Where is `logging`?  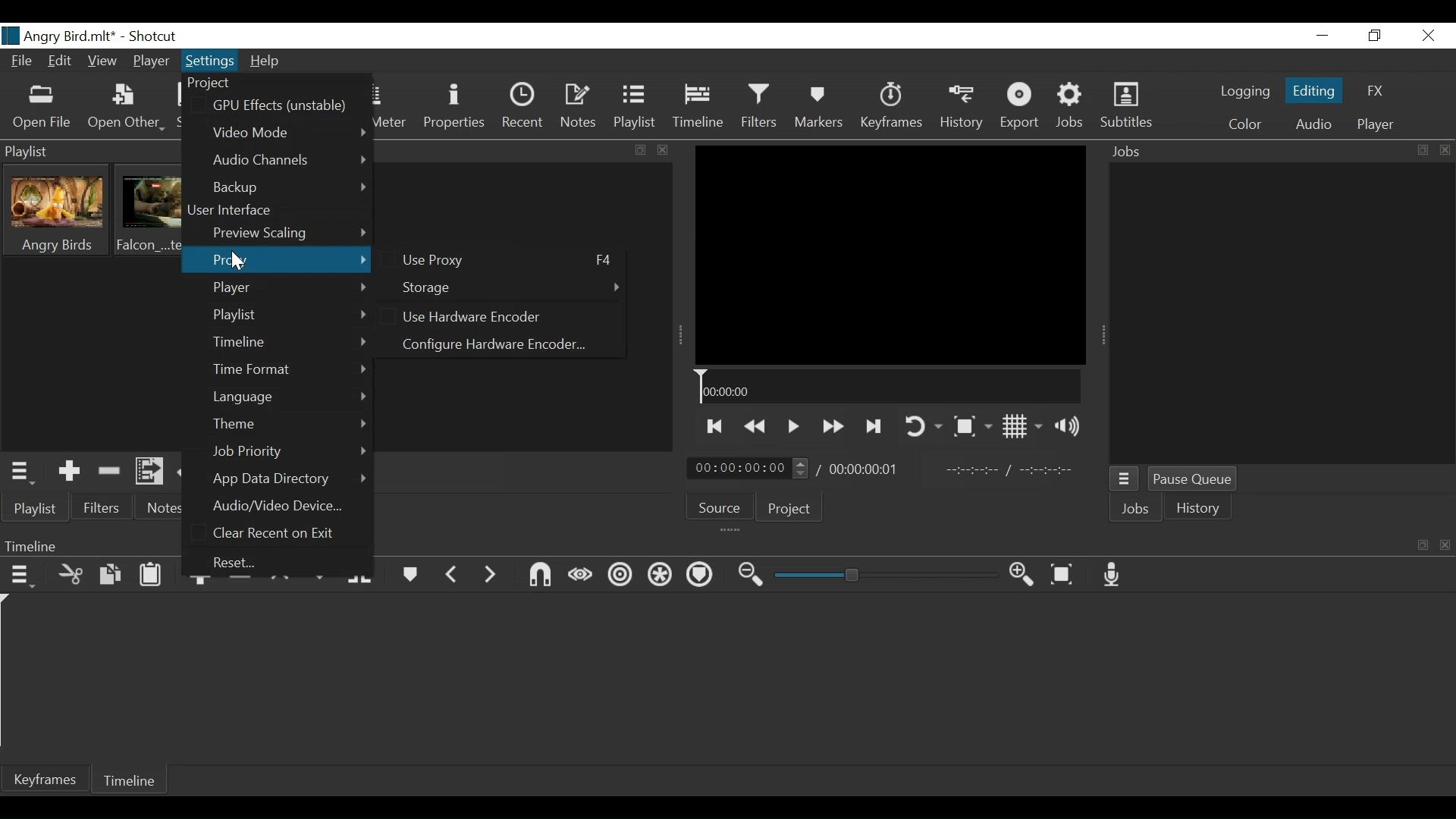
logging is located at coordinates (1244, 92).